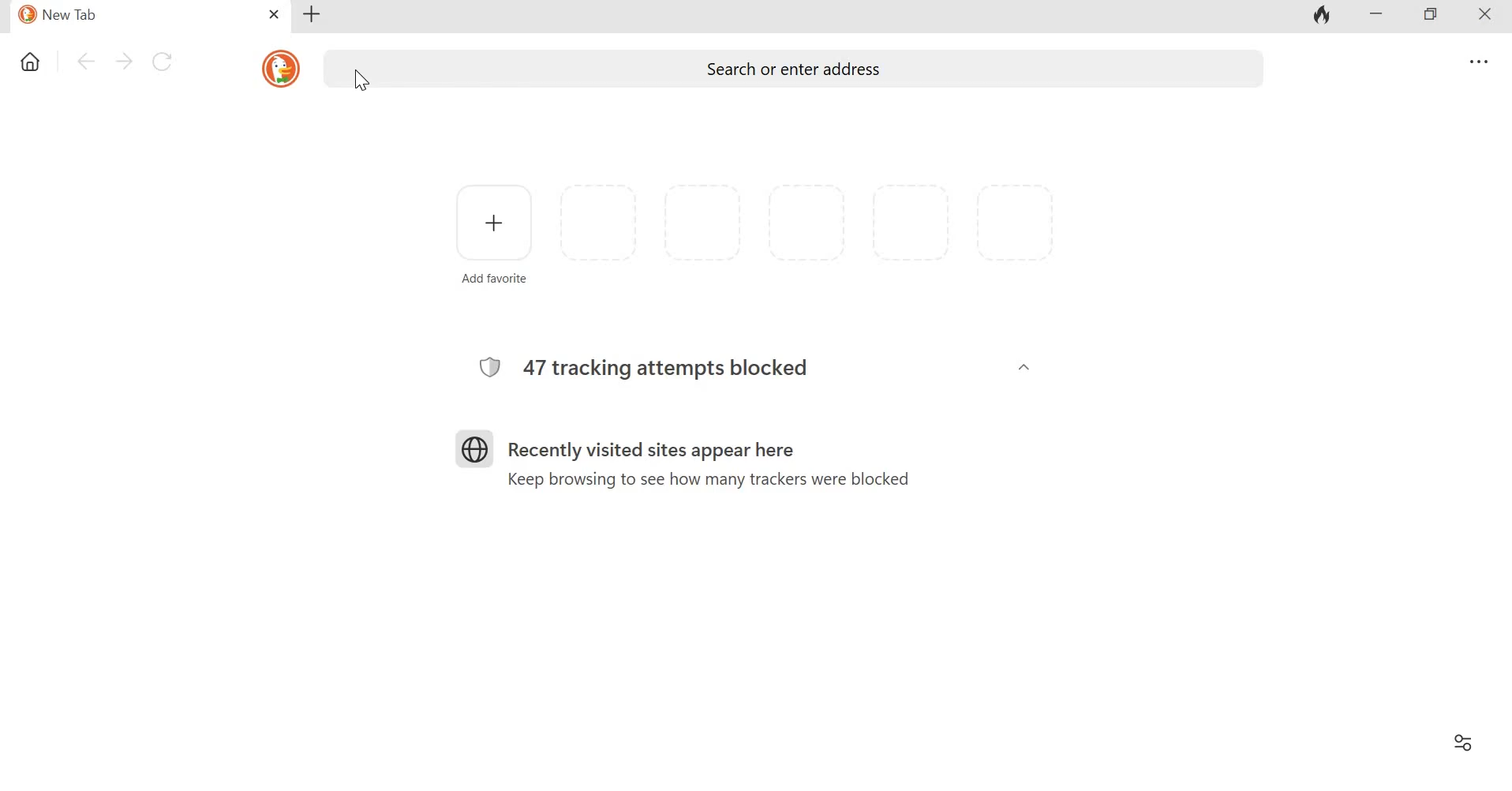 This screenshot has width=1512, height=791. Describe the element at coordinates (279, 69) in the screenshot. I see `icon` at that location.